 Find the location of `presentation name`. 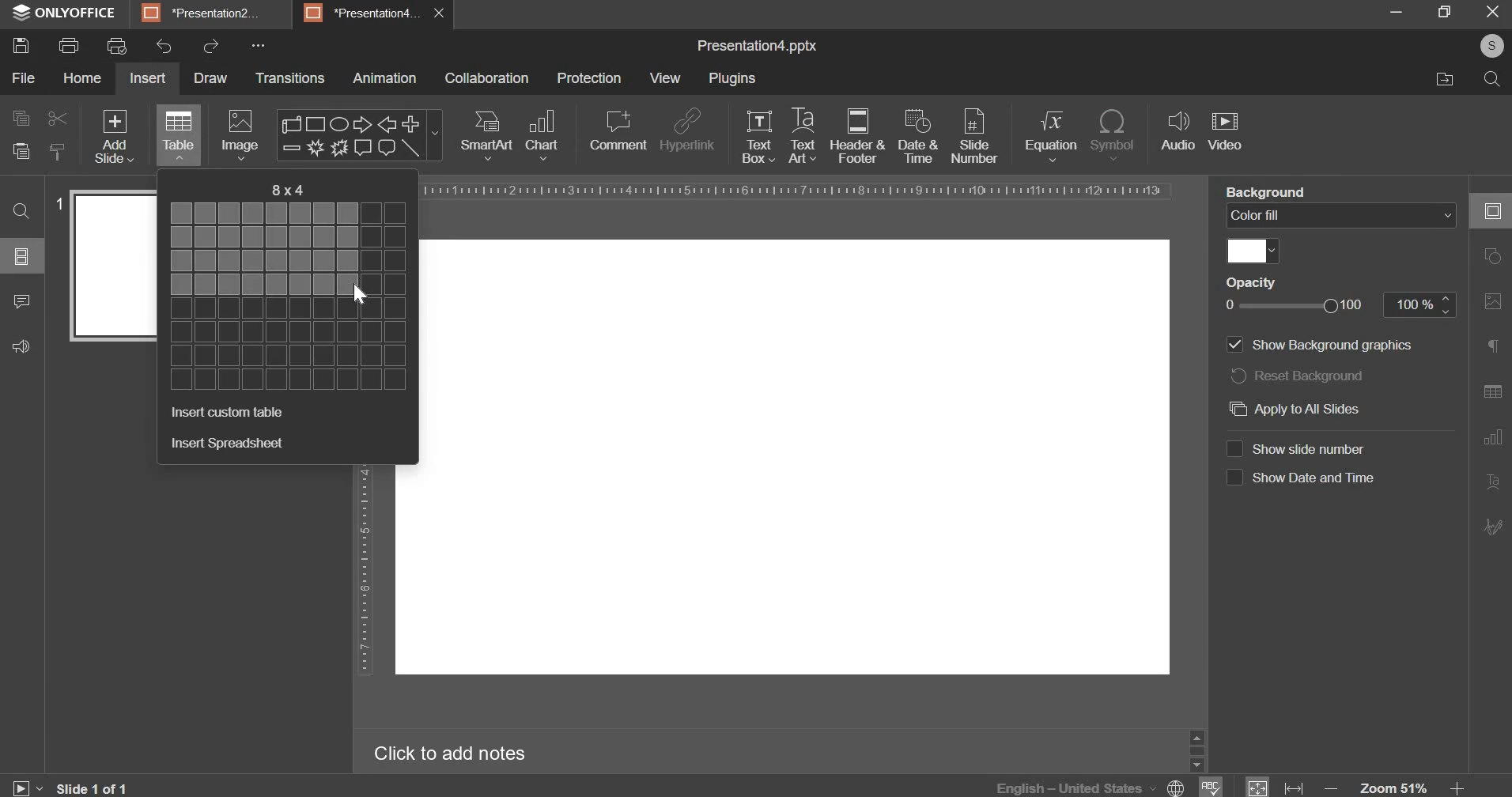

presentation name is located at coordinates (758, 47).